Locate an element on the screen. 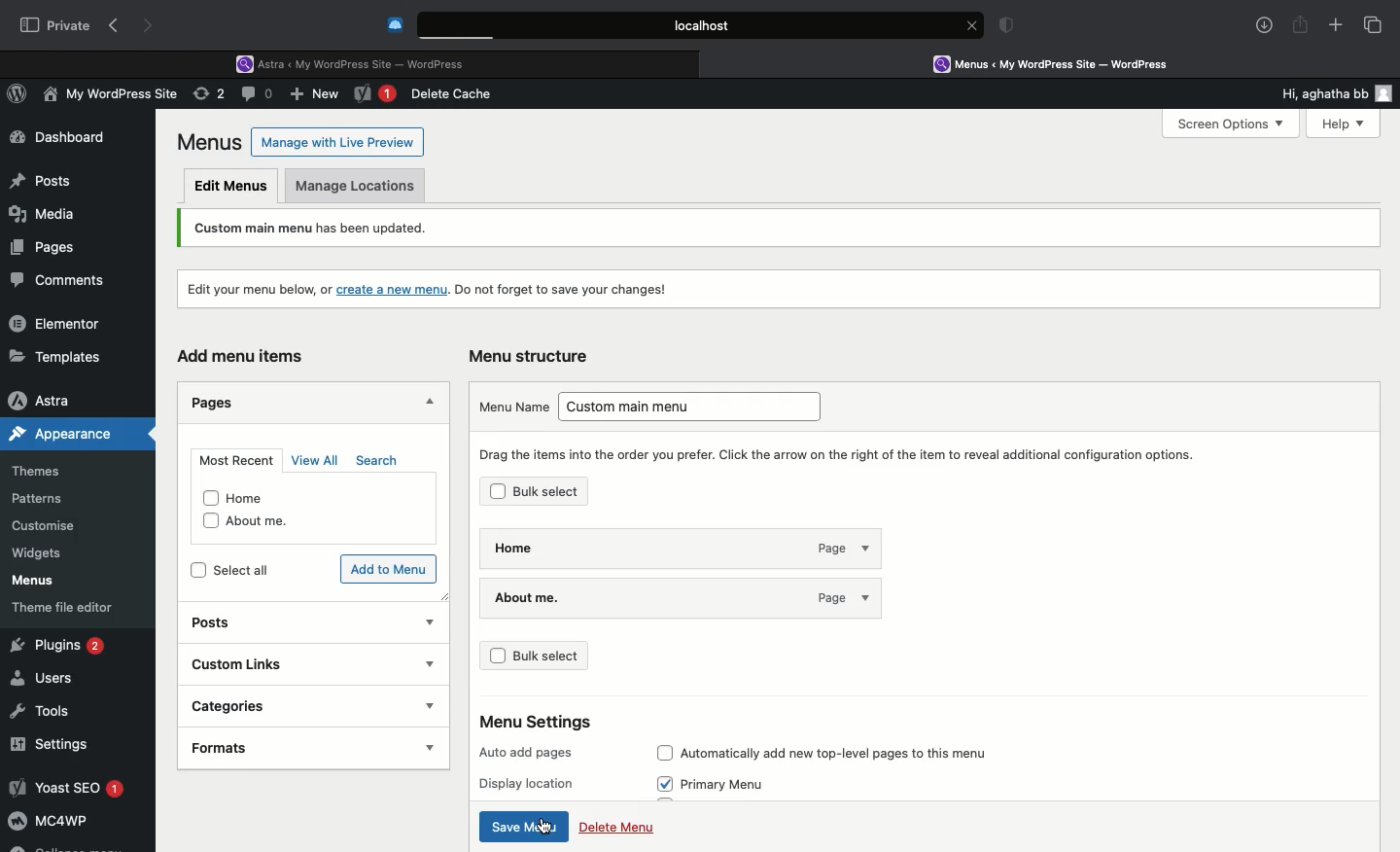 The width and height of the screenshot is (1400, 852). Custom main menu is located at coordinates (698, 404).